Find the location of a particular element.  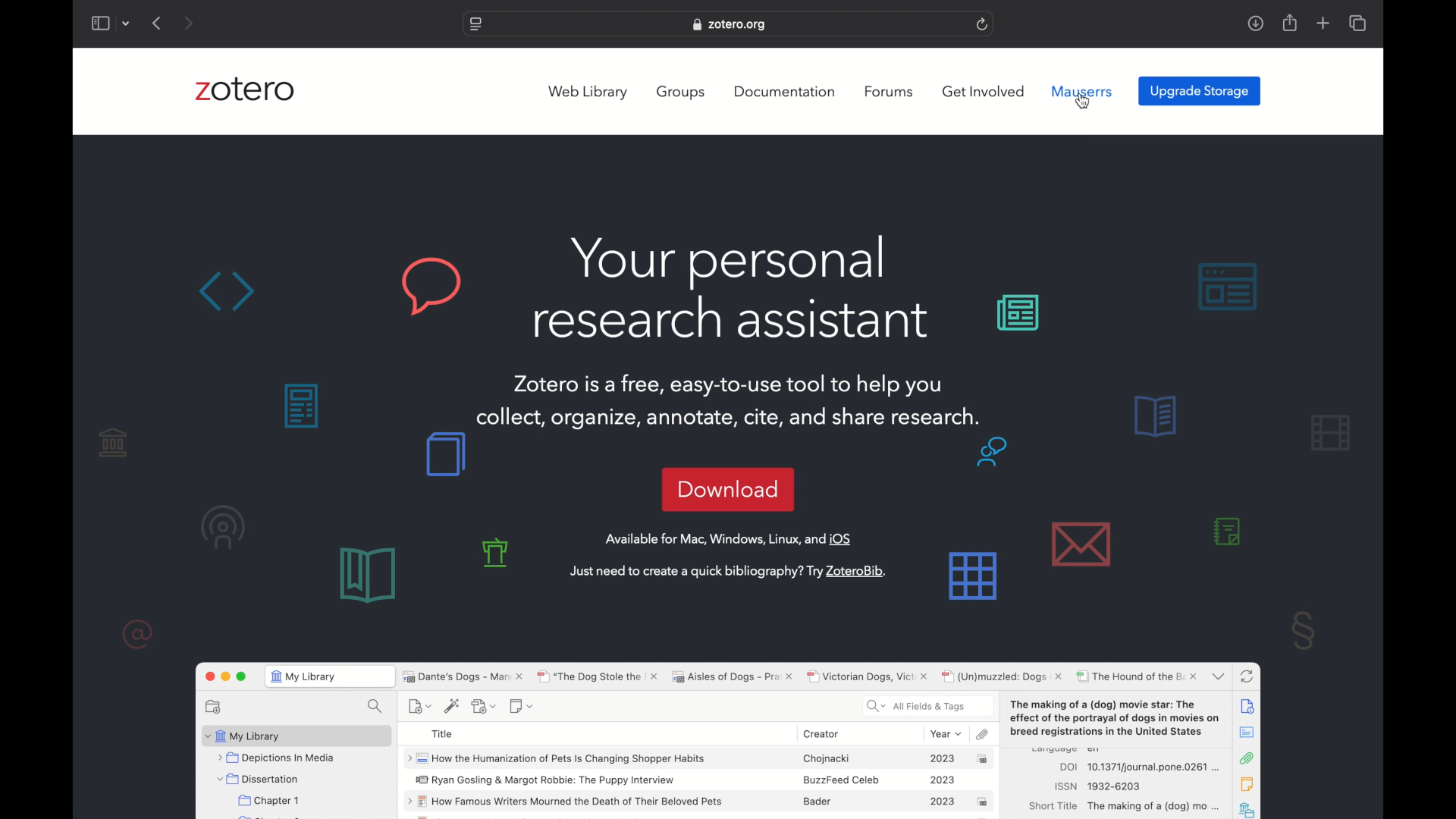

show tab overview is located at coordinates (1359, 23).